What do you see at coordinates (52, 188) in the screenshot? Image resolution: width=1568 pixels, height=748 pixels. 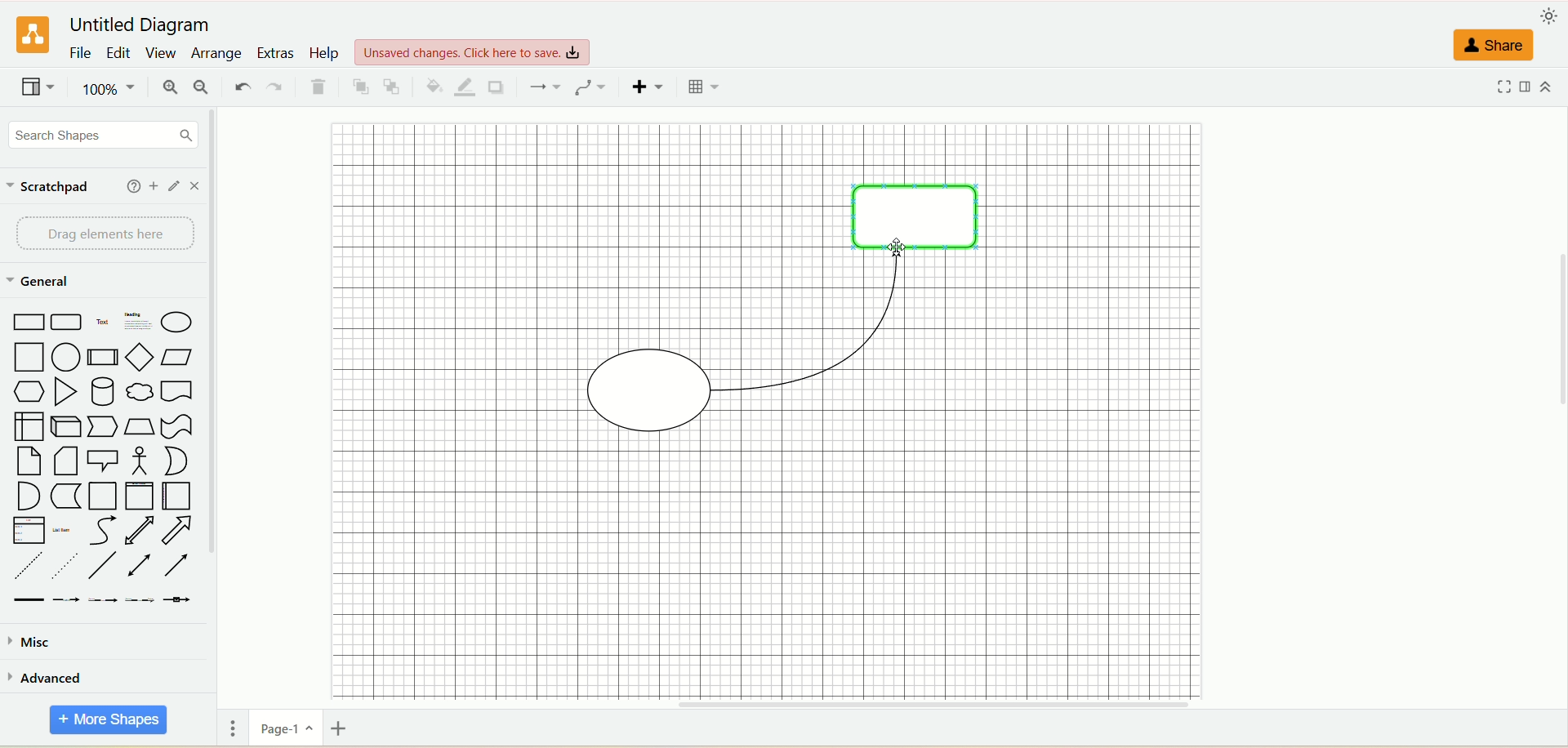 I see `scratchpad` at bounding box center [52, 188].